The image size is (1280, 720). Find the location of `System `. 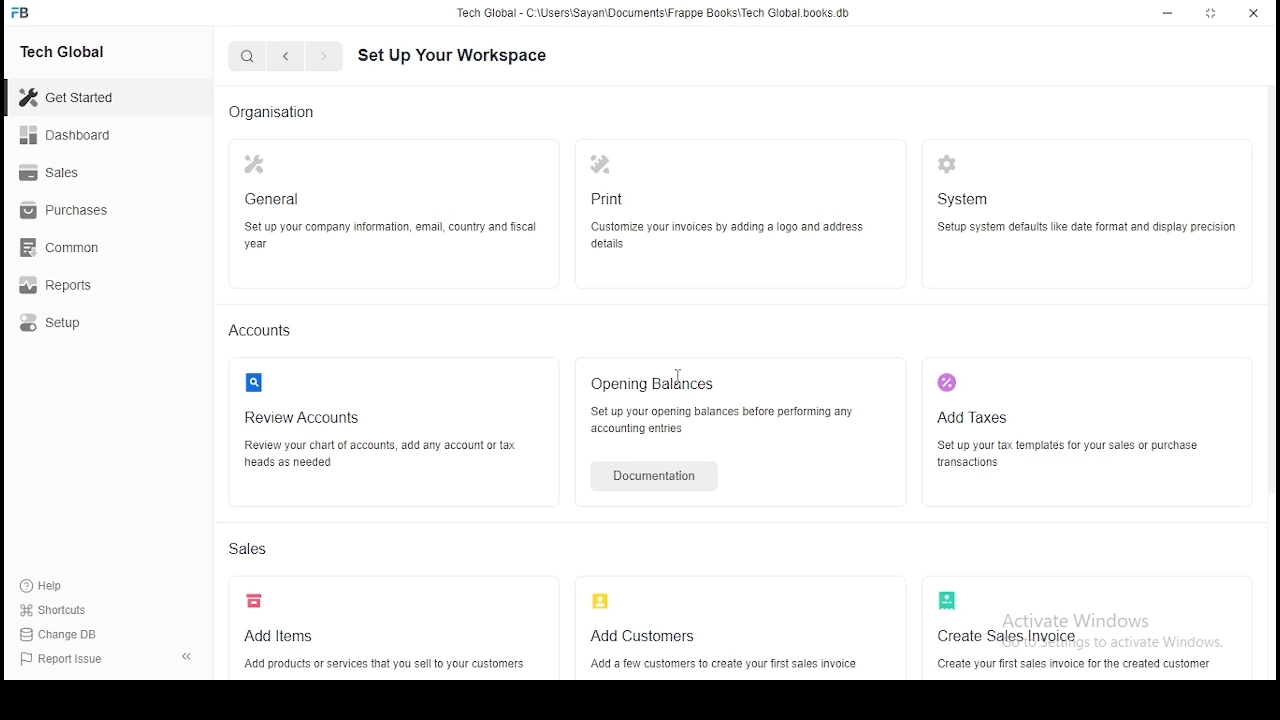

System  is located at coordinates (1084, 209).